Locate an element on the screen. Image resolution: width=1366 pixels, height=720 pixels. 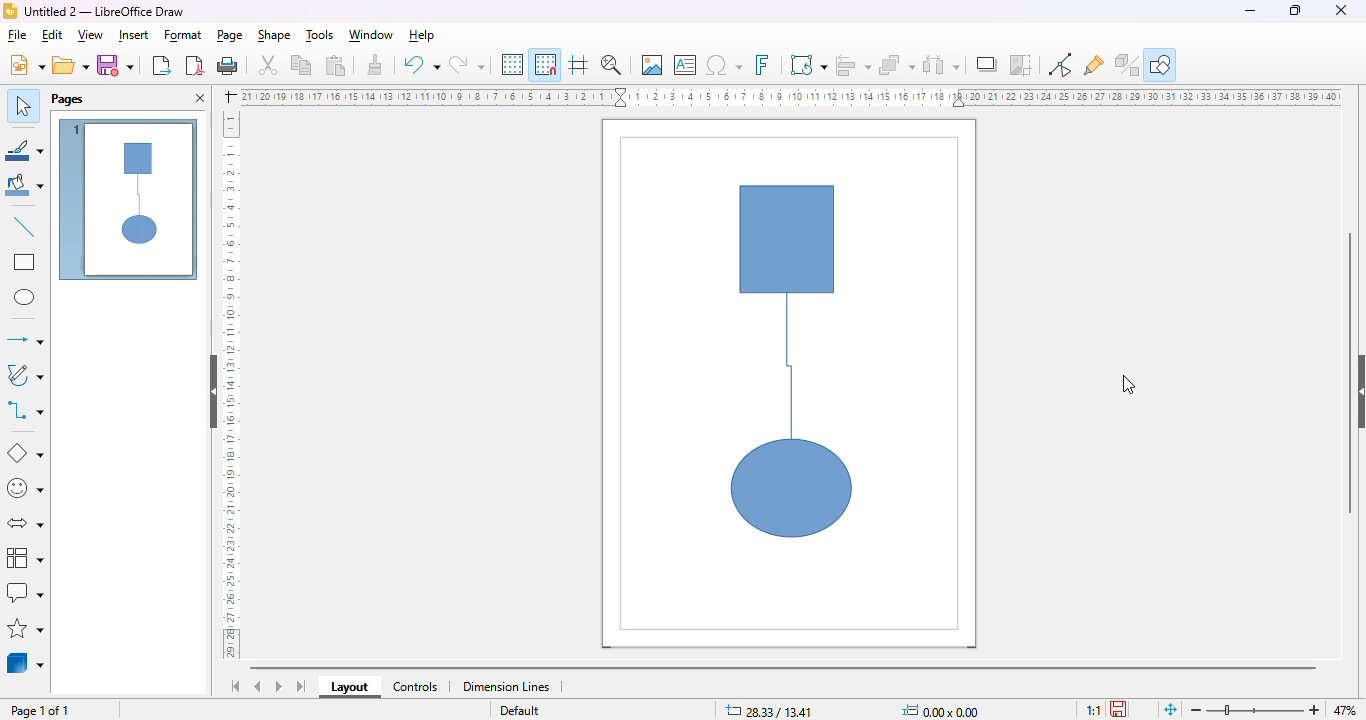
vertical scroll bar is located at coordinates (1351, 373).